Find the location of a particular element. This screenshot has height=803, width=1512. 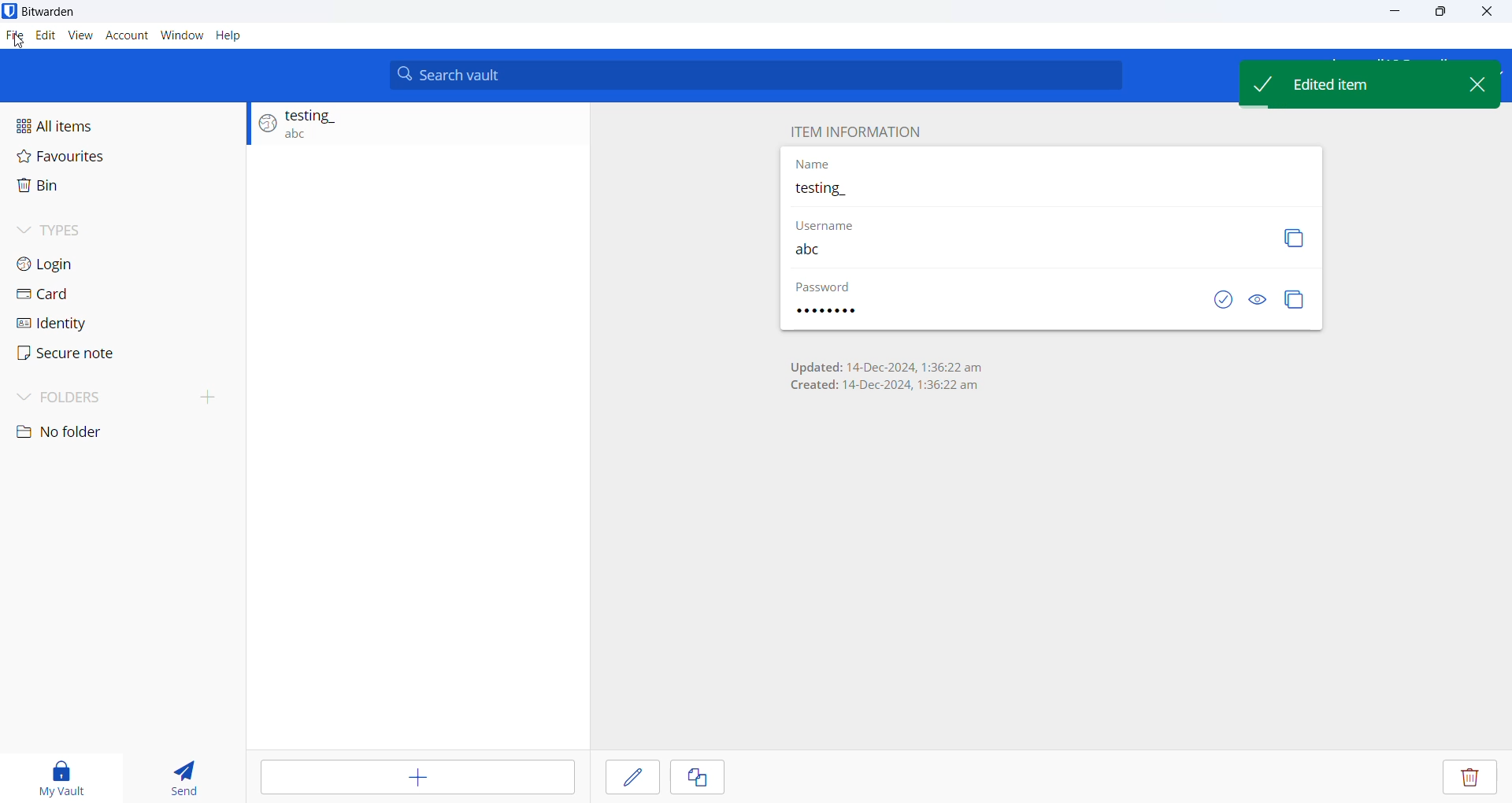

create folder is located at coordinates (214, 396).